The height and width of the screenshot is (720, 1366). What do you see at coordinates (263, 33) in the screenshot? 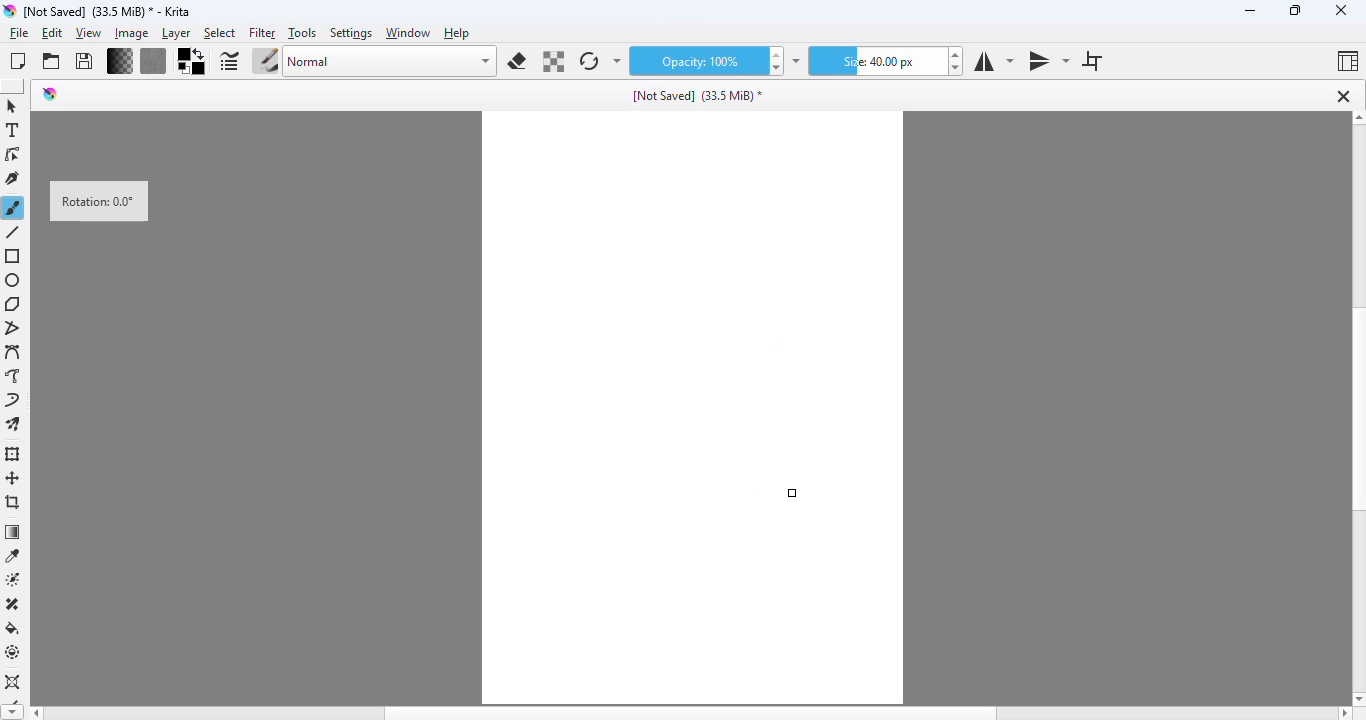
I see `filter` at bounding box center [263, 33].